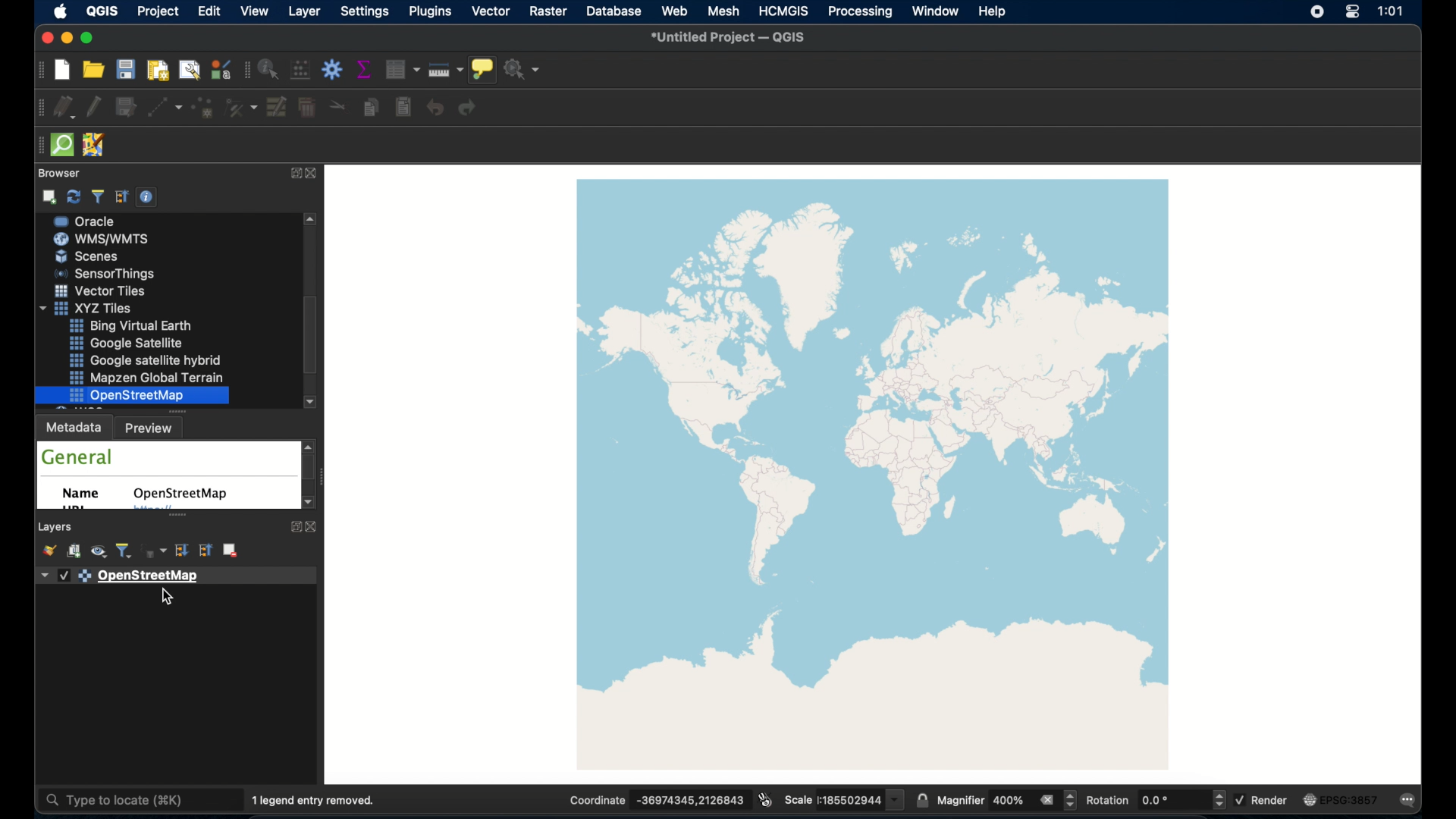 This screenshot has width=1456, height=819. What do you see at coordinates (45, 38) in the screenshot?
I see `close` at bounding box center [45, 38].